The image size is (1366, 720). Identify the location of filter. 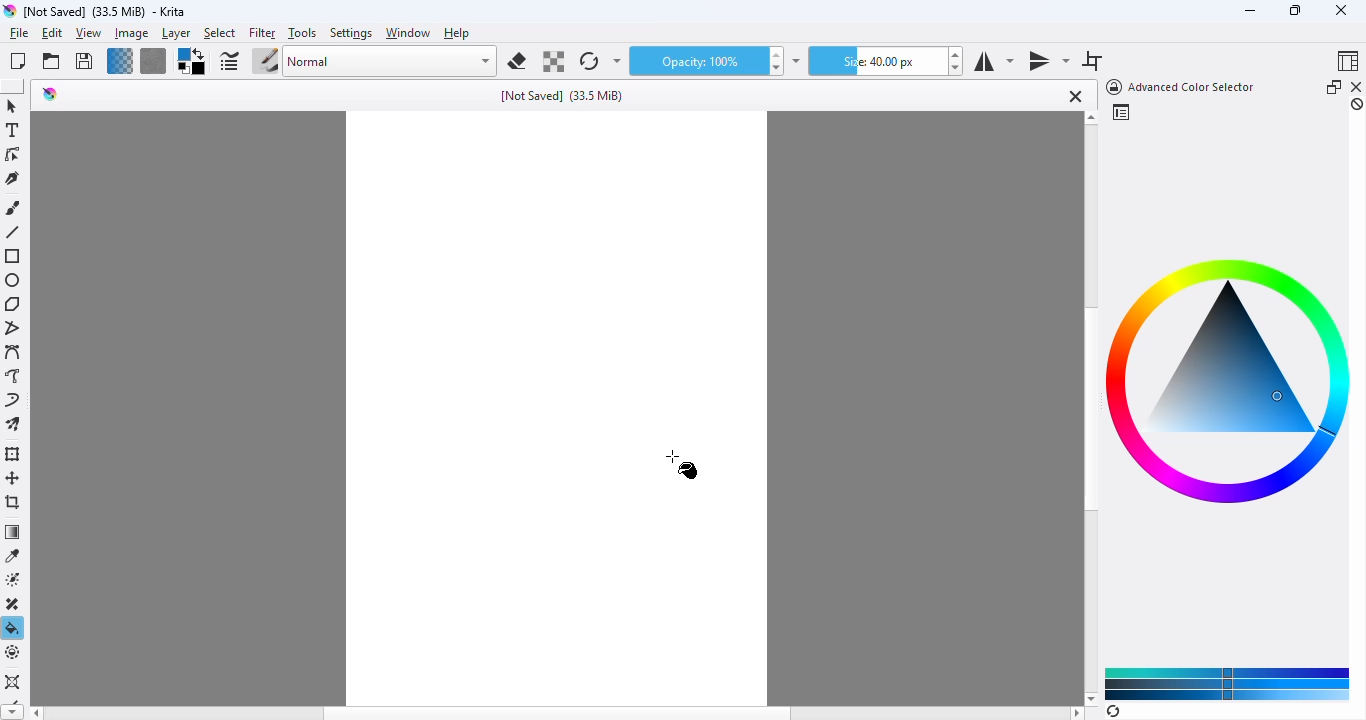
(262, 34).